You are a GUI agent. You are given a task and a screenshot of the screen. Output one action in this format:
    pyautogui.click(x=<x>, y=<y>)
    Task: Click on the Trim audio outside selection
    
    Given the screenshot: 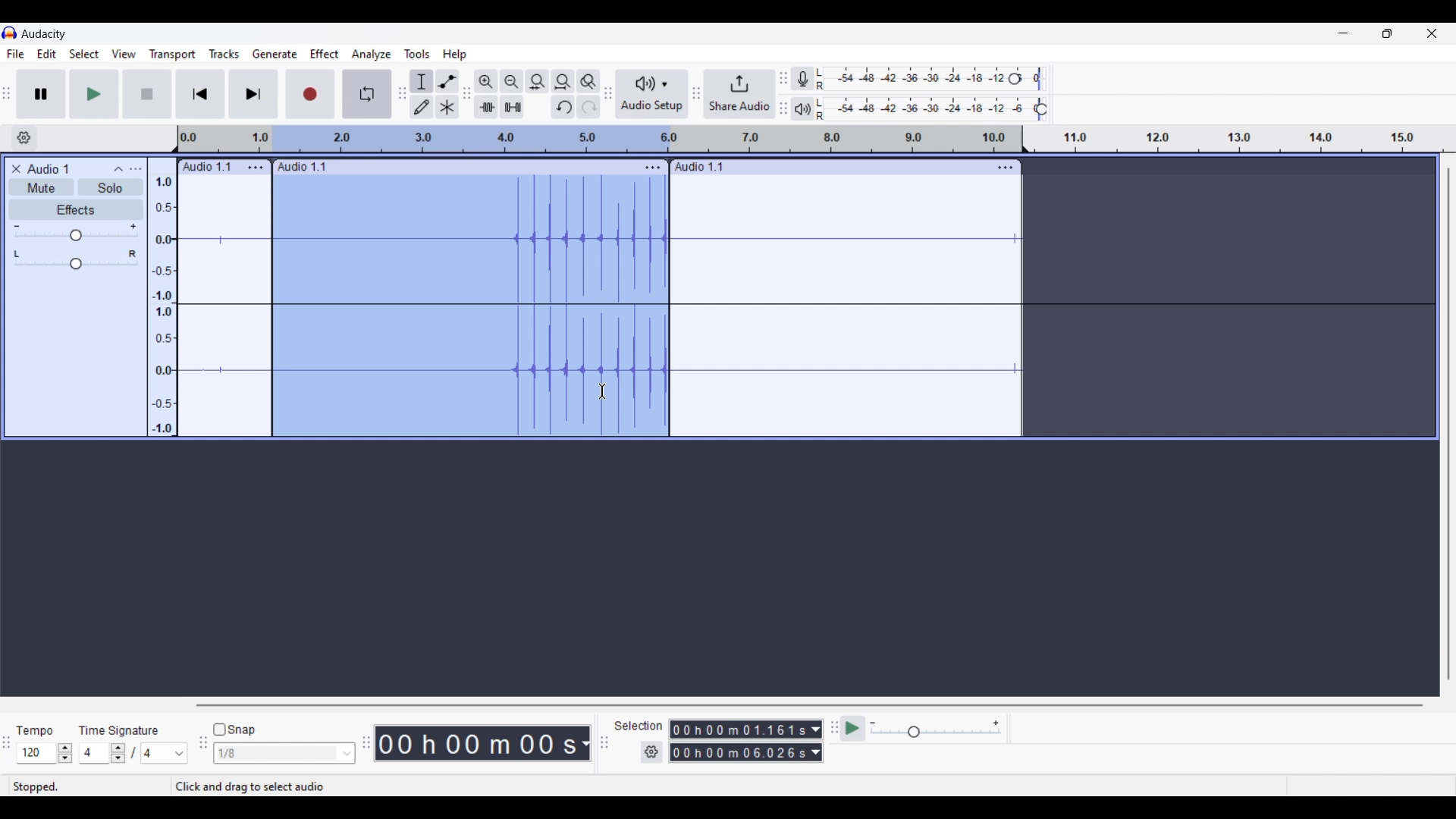 What is the action you would take?
    pyautogui.click(x=486, y=107)
    